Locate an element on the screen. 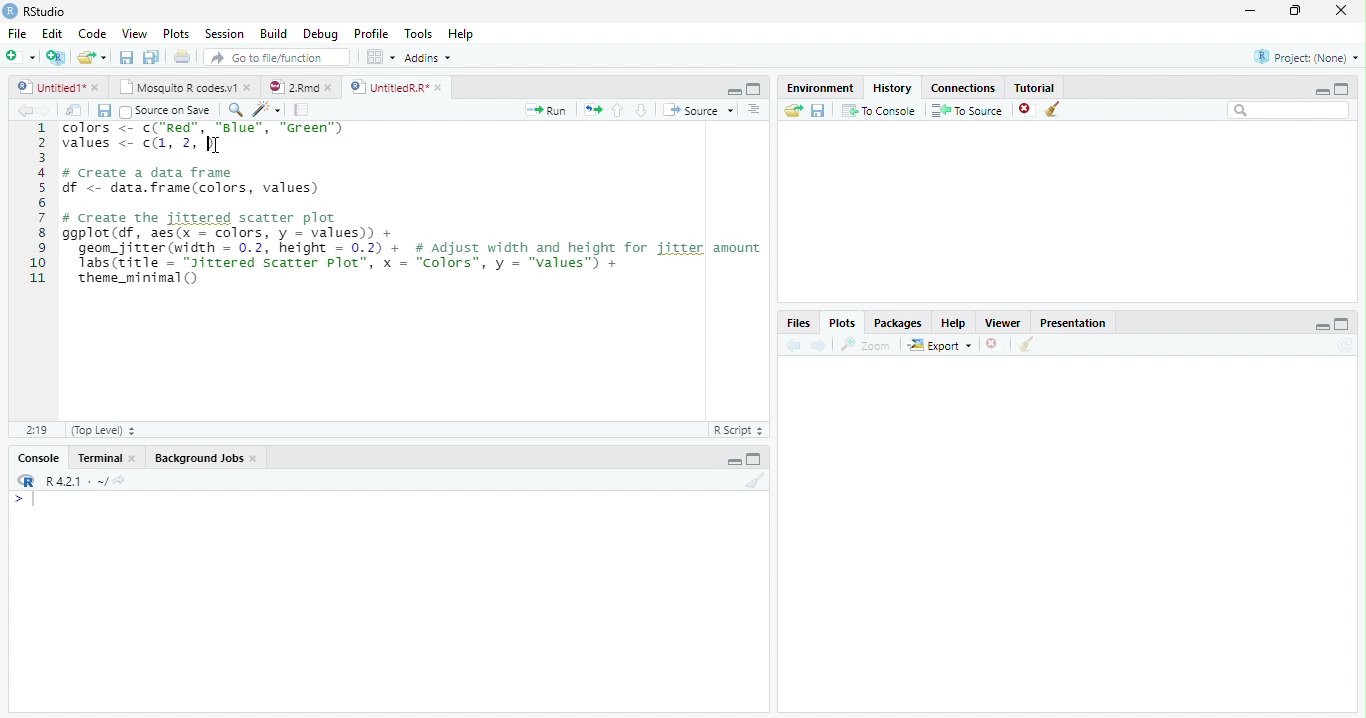  Presentation is located at coordinates (1072, 322).